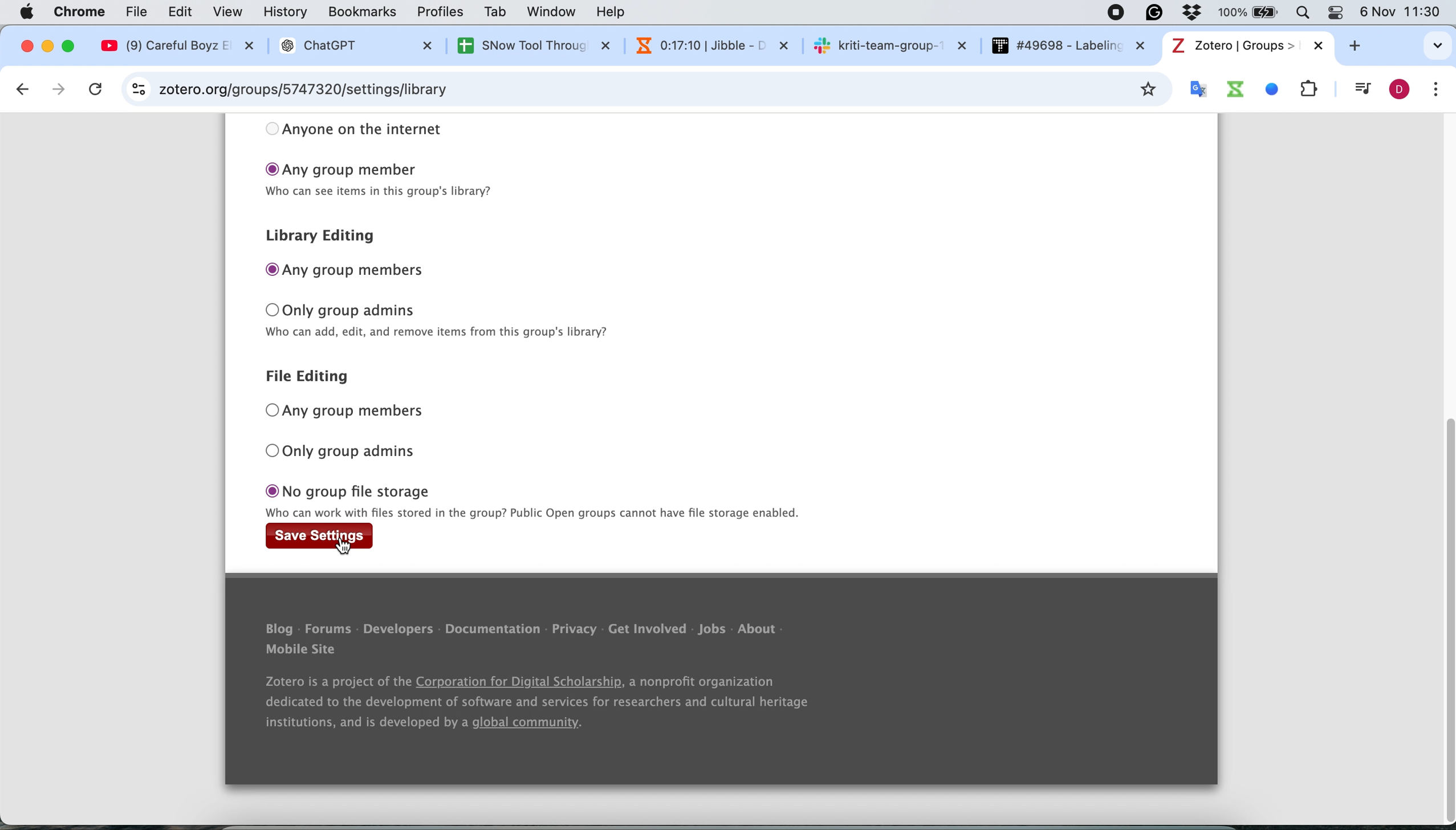 This screenshot has height=830, width=1456. I want to click on search tabs, so click(1421, 45).